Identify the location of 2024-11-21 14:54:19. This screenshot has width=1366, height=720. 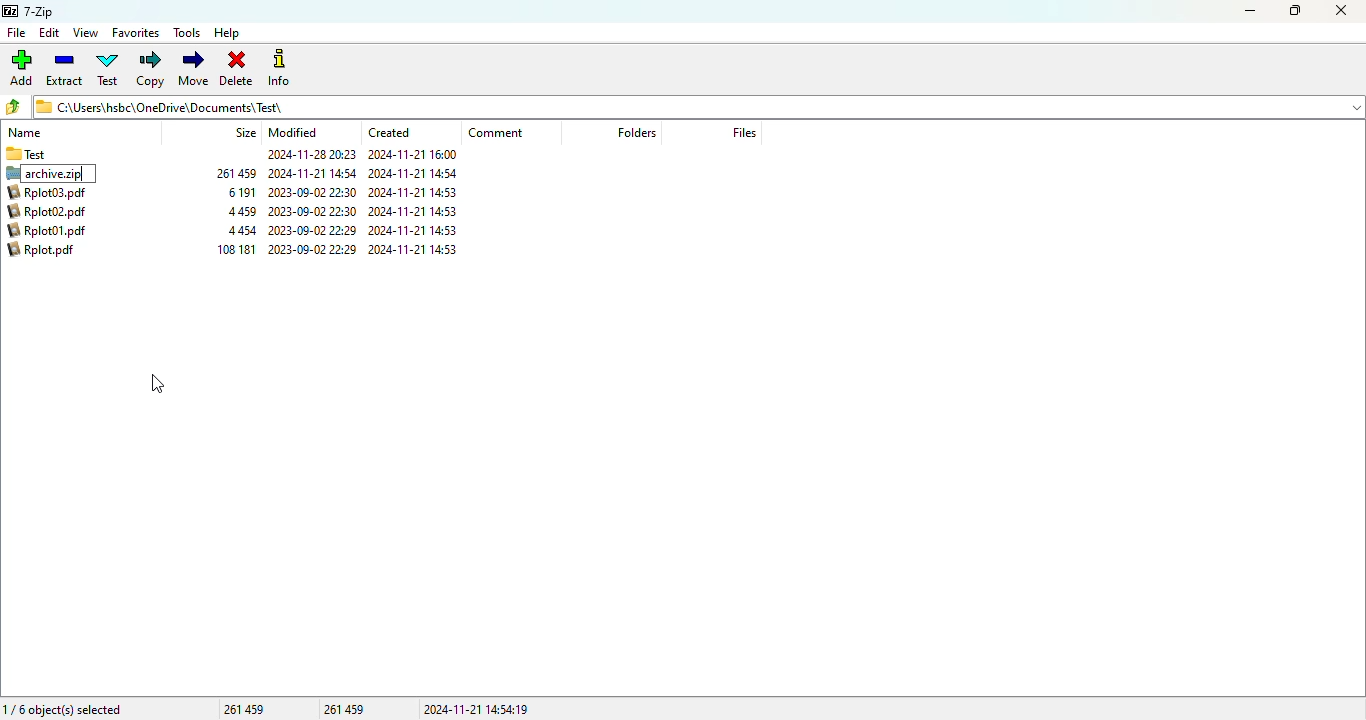
(477, 709).